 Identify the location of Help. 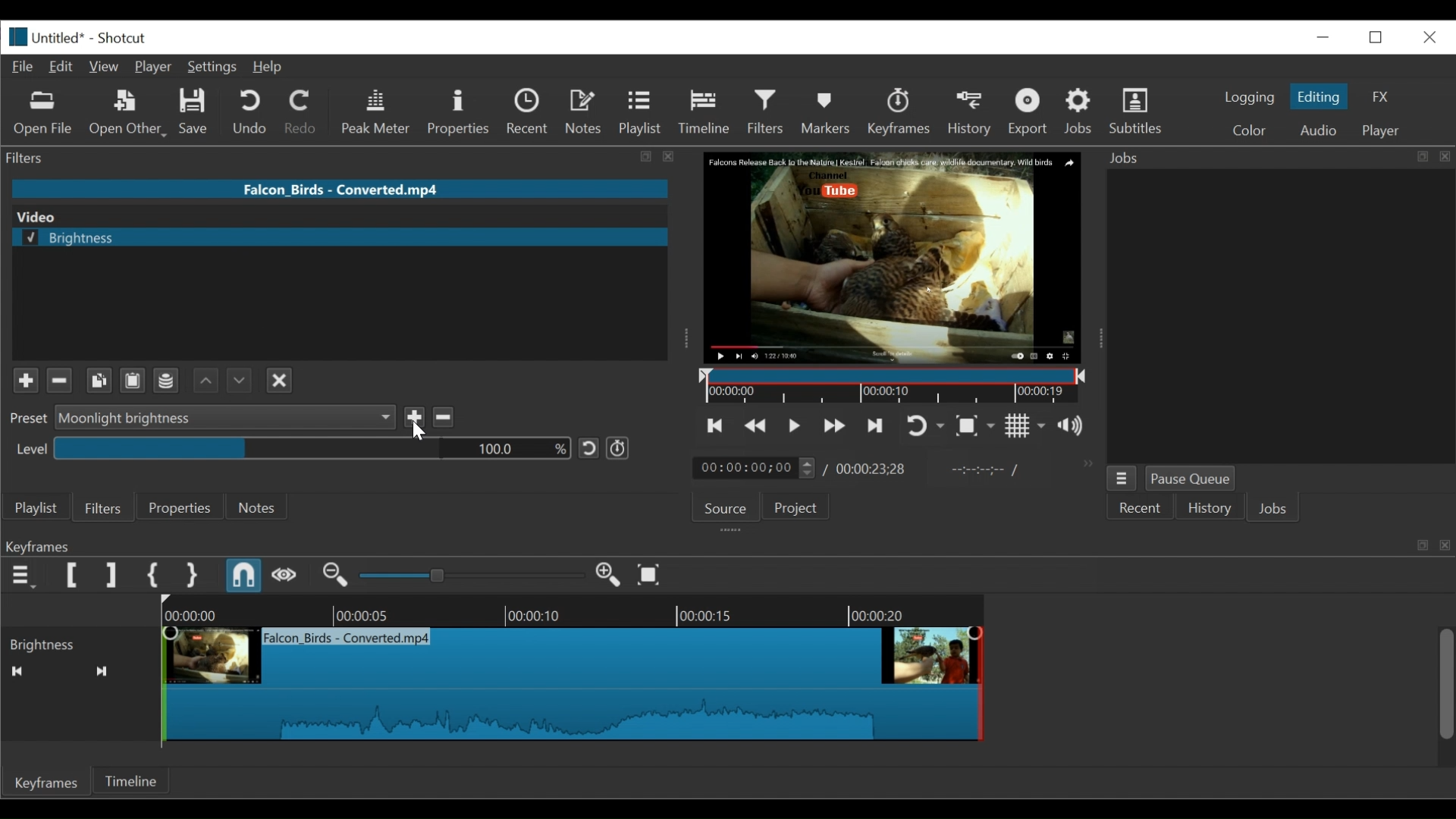
(272, 67).